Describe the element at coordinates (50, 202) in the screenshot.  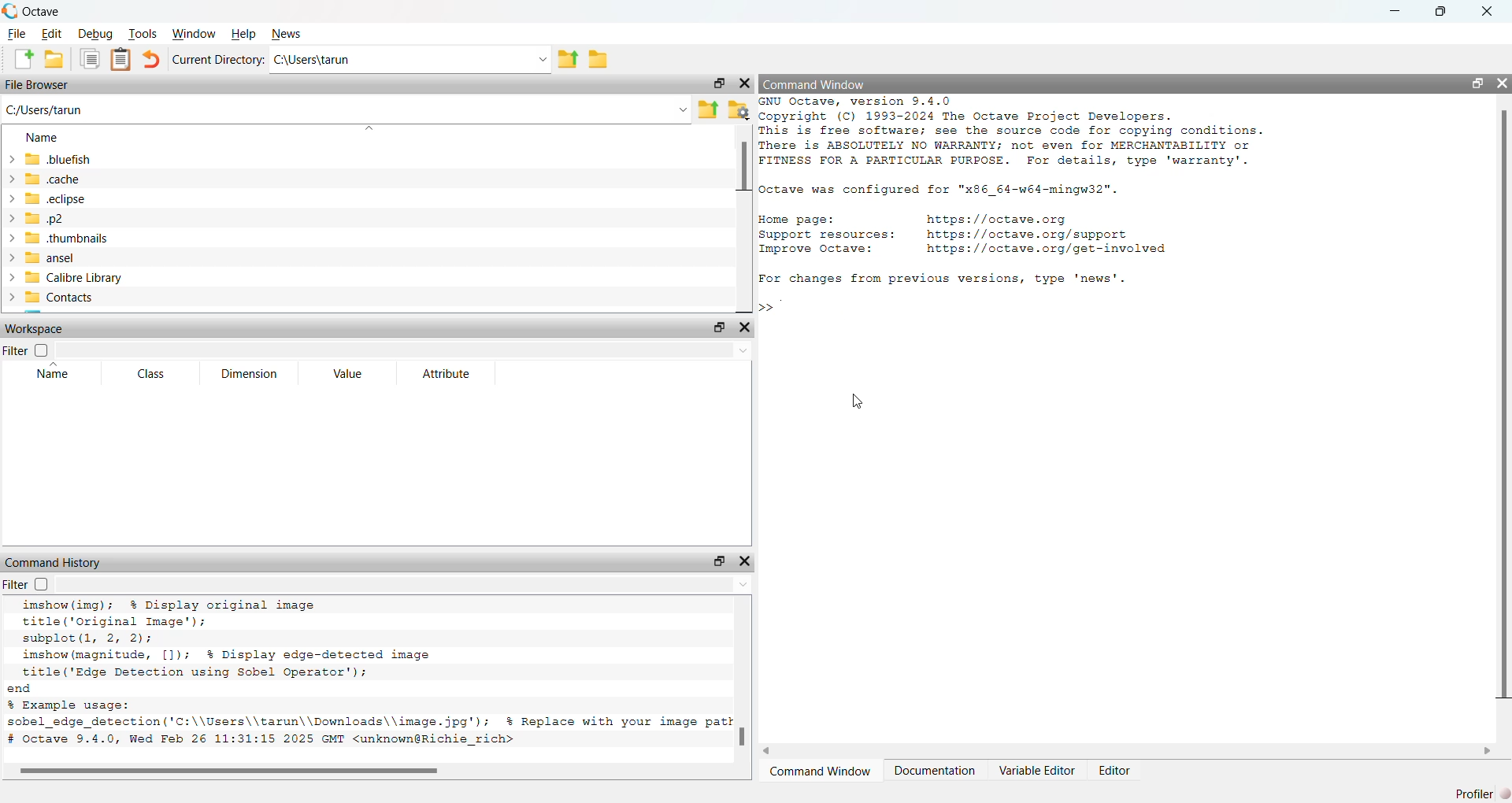
I see ` eclipse` at that location.